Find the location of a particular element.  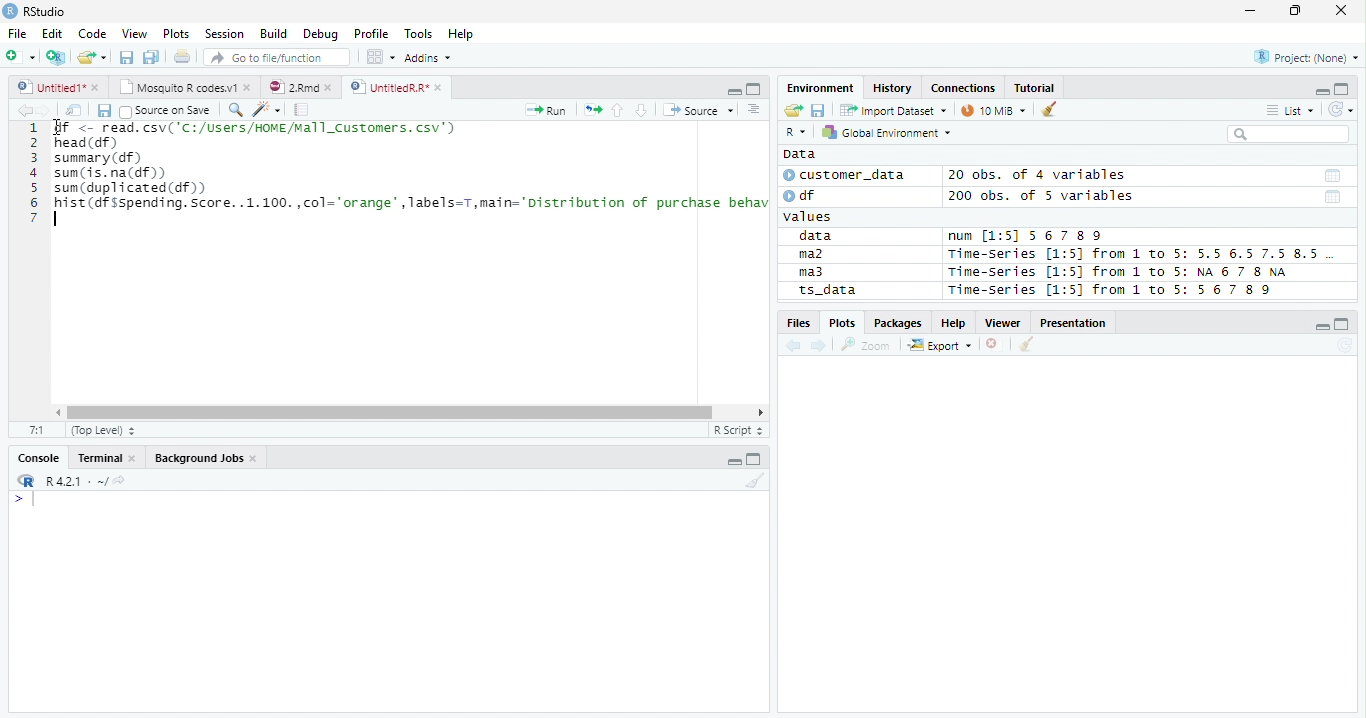

Debug is located at coordinates (321, 35).